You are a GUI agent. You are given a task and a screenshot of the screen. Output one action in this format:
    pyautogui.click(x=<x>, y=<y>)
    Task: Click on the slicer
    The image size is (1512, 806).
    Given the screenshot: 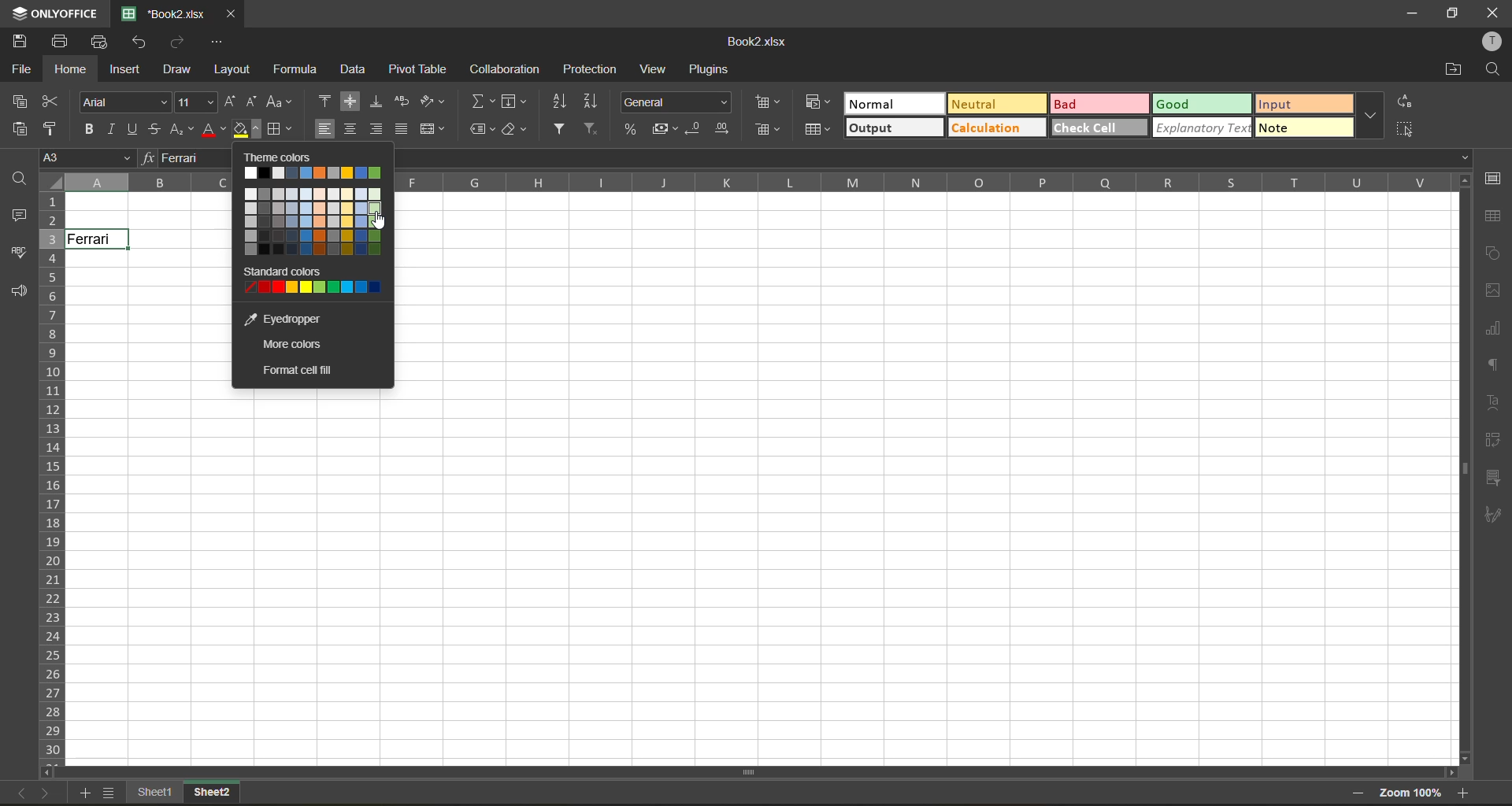 What is the action you would take?
    pyautogui.click(x=1497, y=478)
    